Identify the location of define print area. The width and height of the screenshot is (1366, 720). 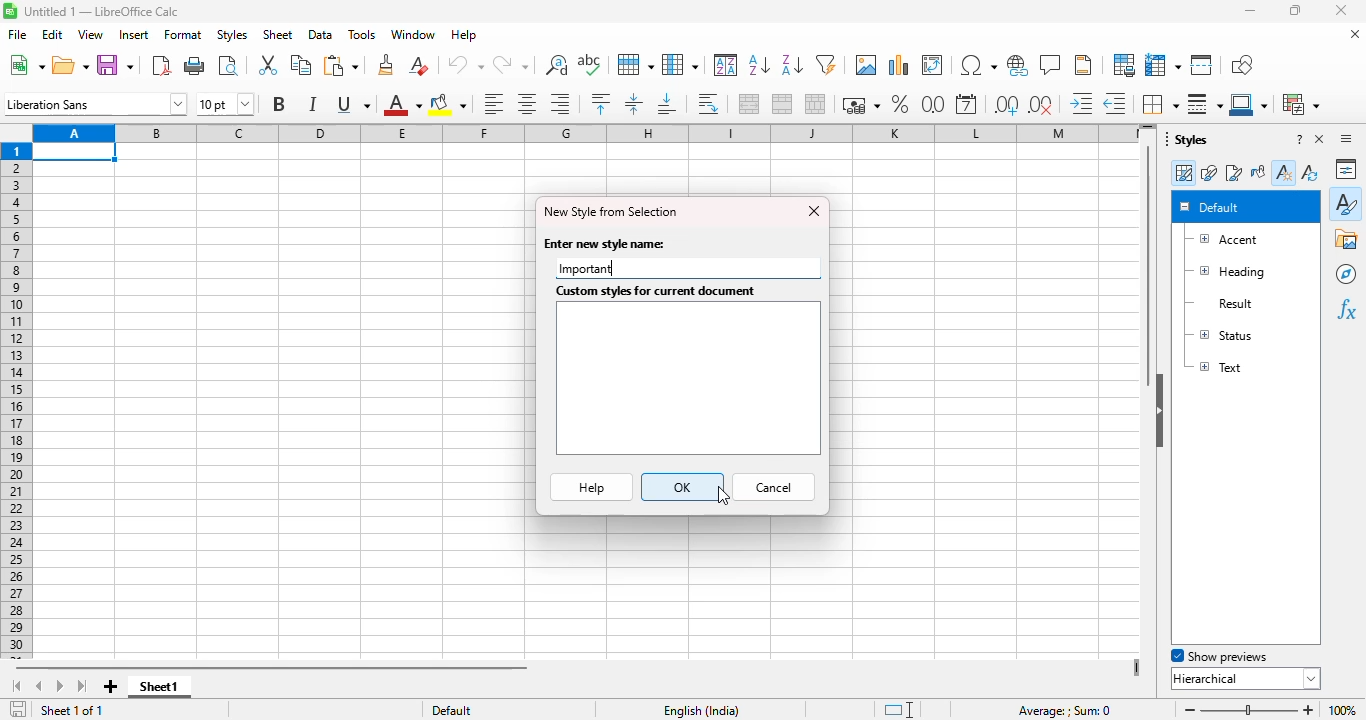
(1124, 65).